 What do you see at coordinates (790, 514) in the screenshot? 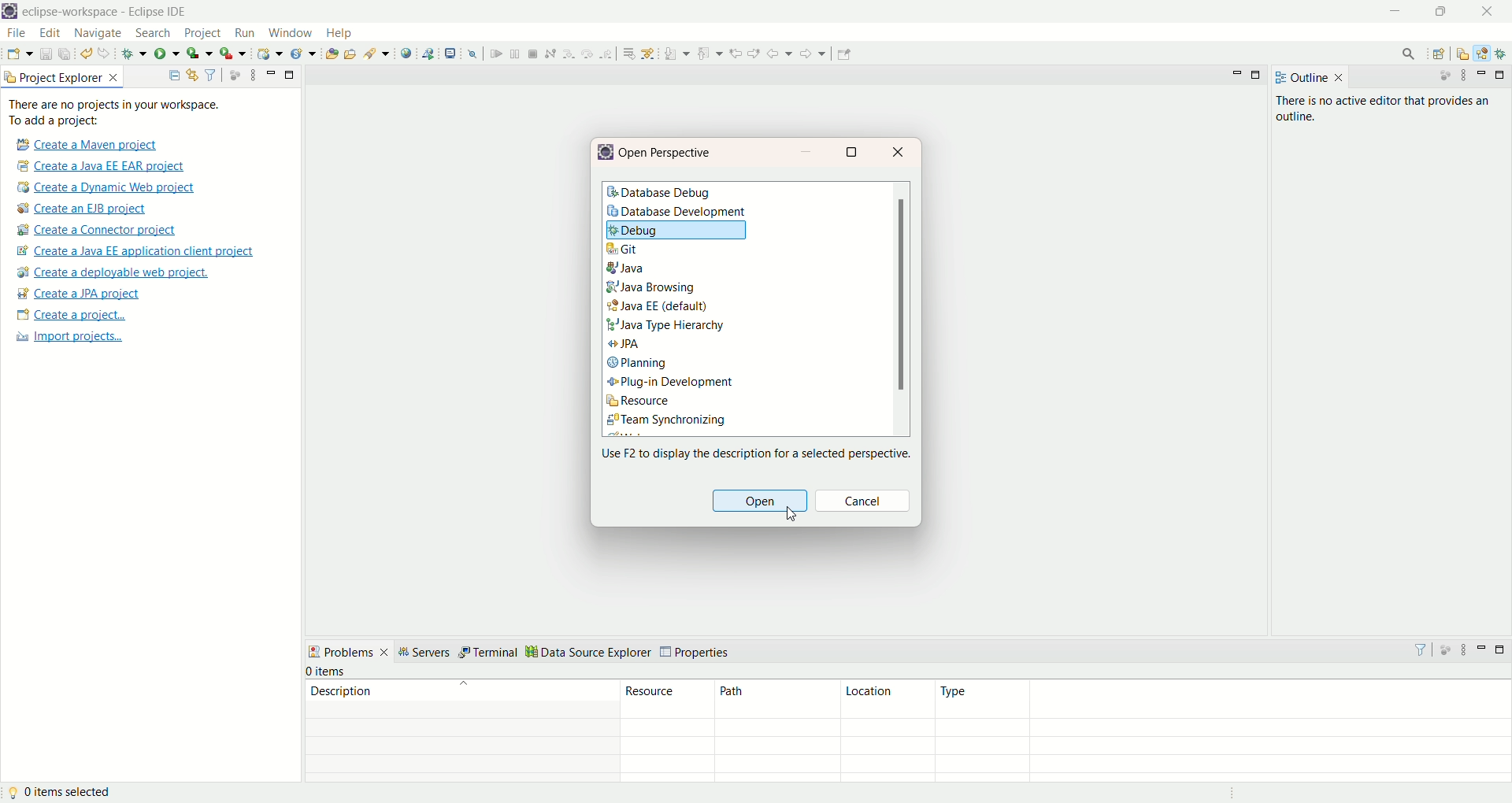
I see `cursor` at bounding box center [790, 514].